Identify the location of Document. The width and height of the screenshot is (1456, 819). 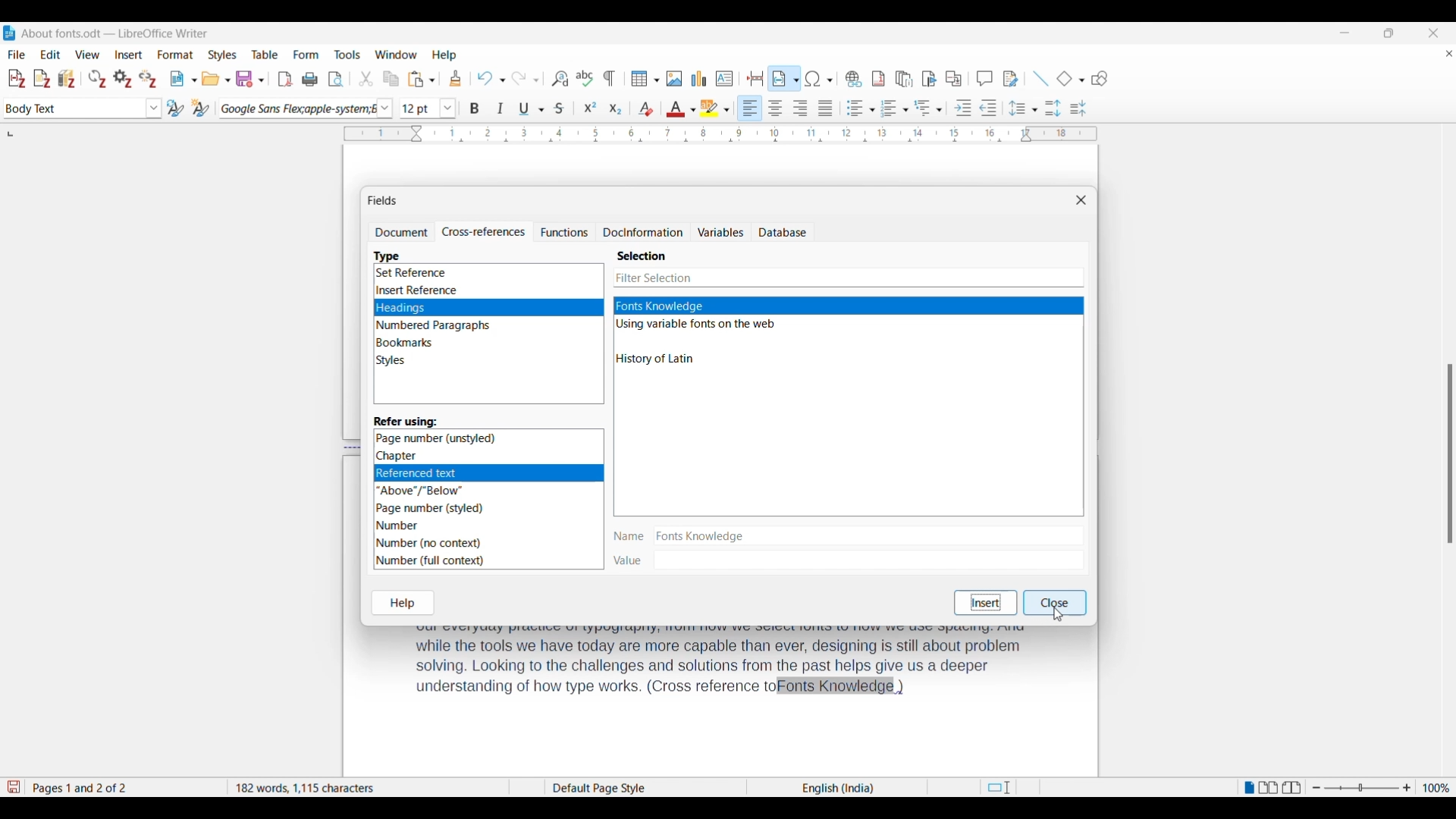
(400, 232).